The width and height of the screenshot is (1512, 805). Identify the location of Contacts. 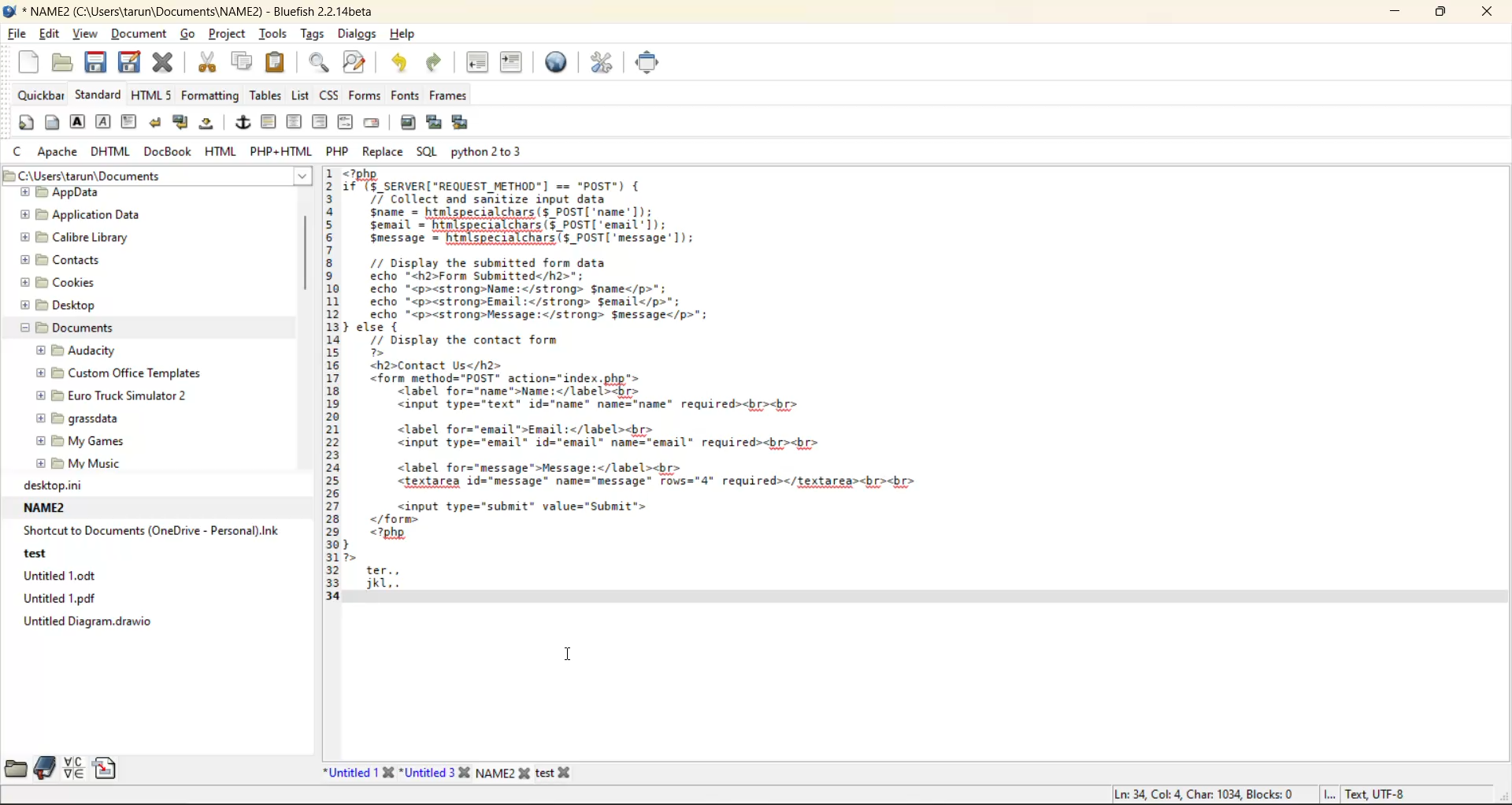
(58, 261).